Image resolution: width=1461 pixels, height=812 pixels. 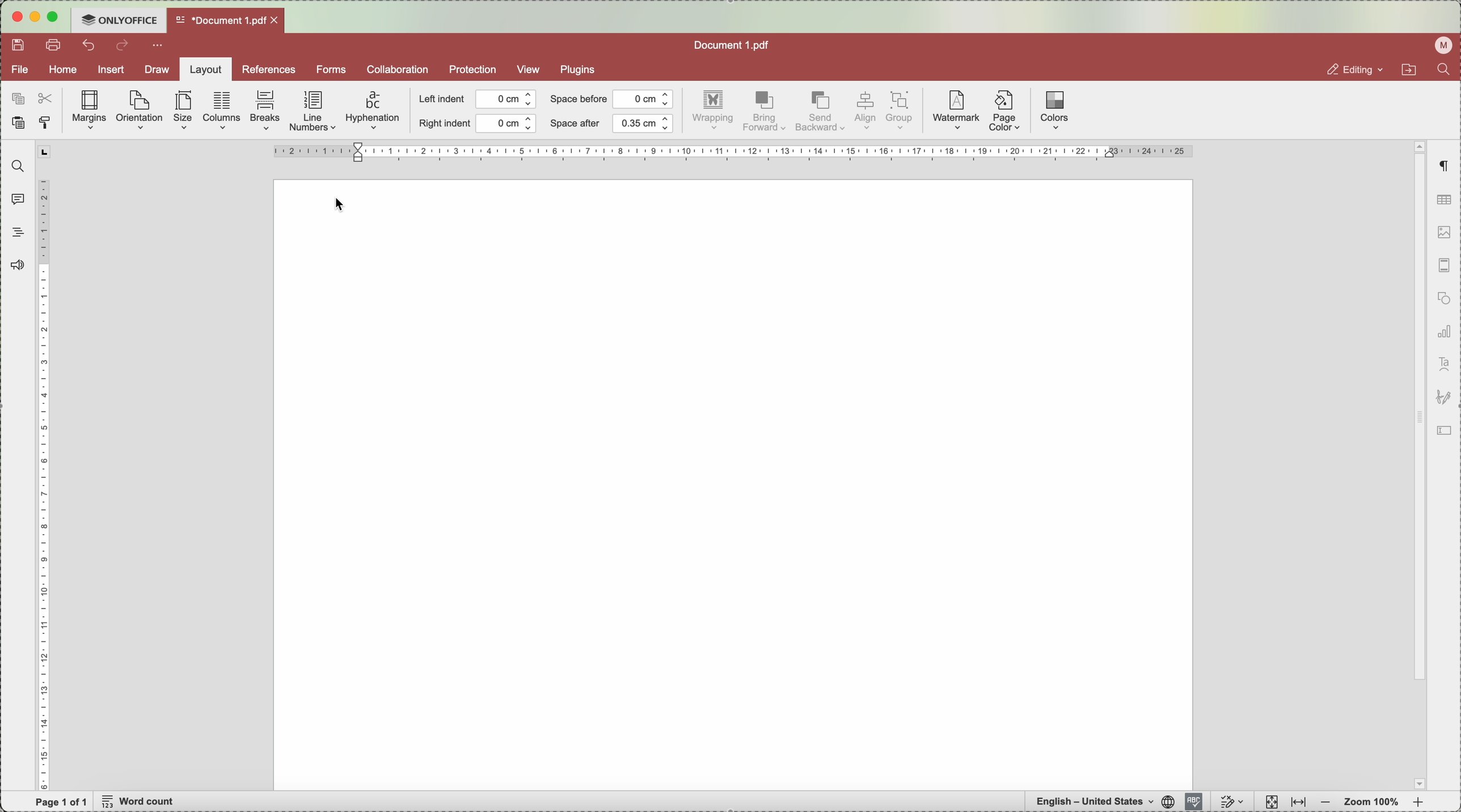 I want to click on icon, so click(x=1447, y=432).